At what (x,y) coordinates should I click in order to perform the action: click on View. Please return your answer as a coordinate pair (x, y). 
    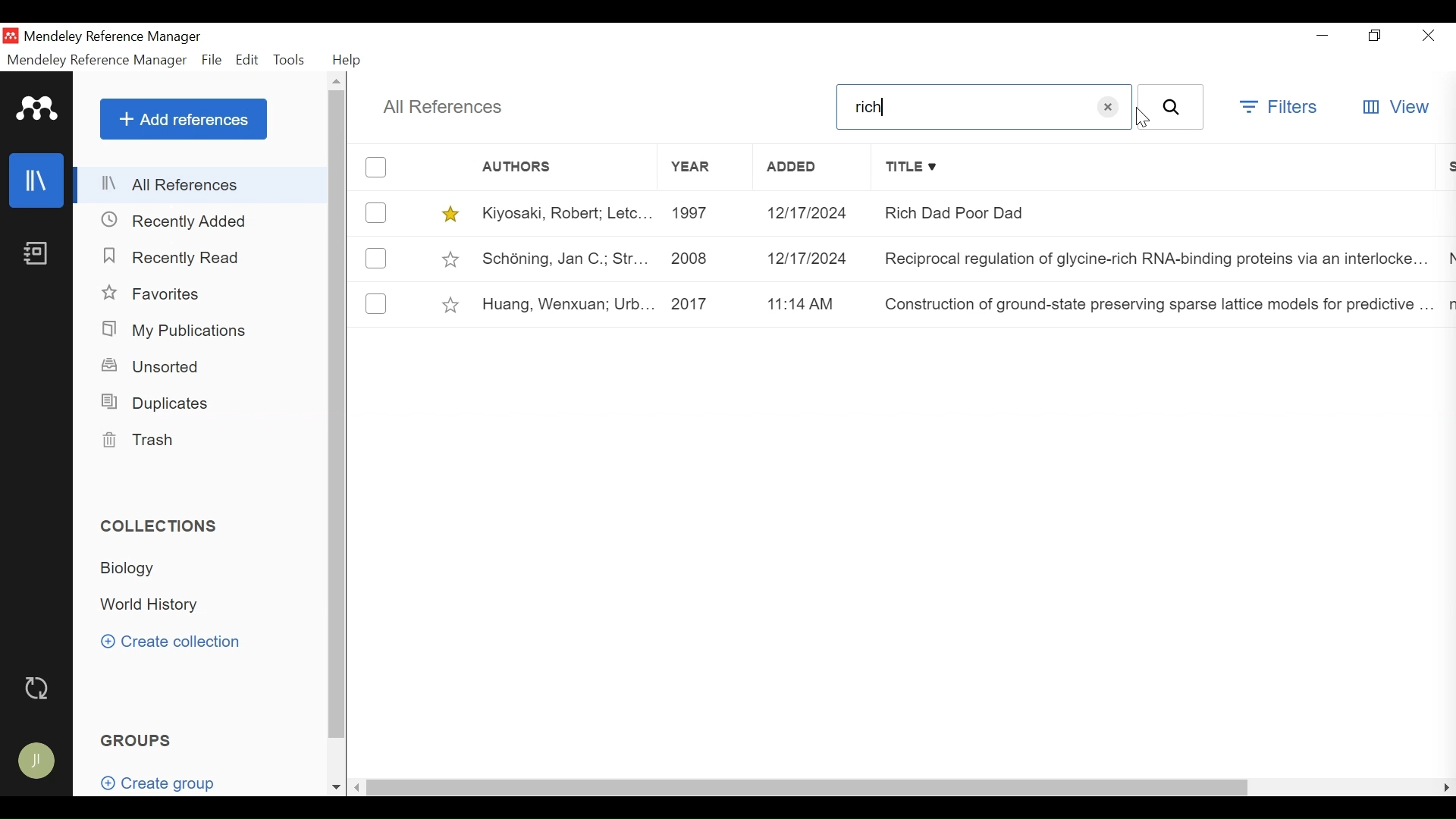
    Looking at the image, I should click on (1396, 107).